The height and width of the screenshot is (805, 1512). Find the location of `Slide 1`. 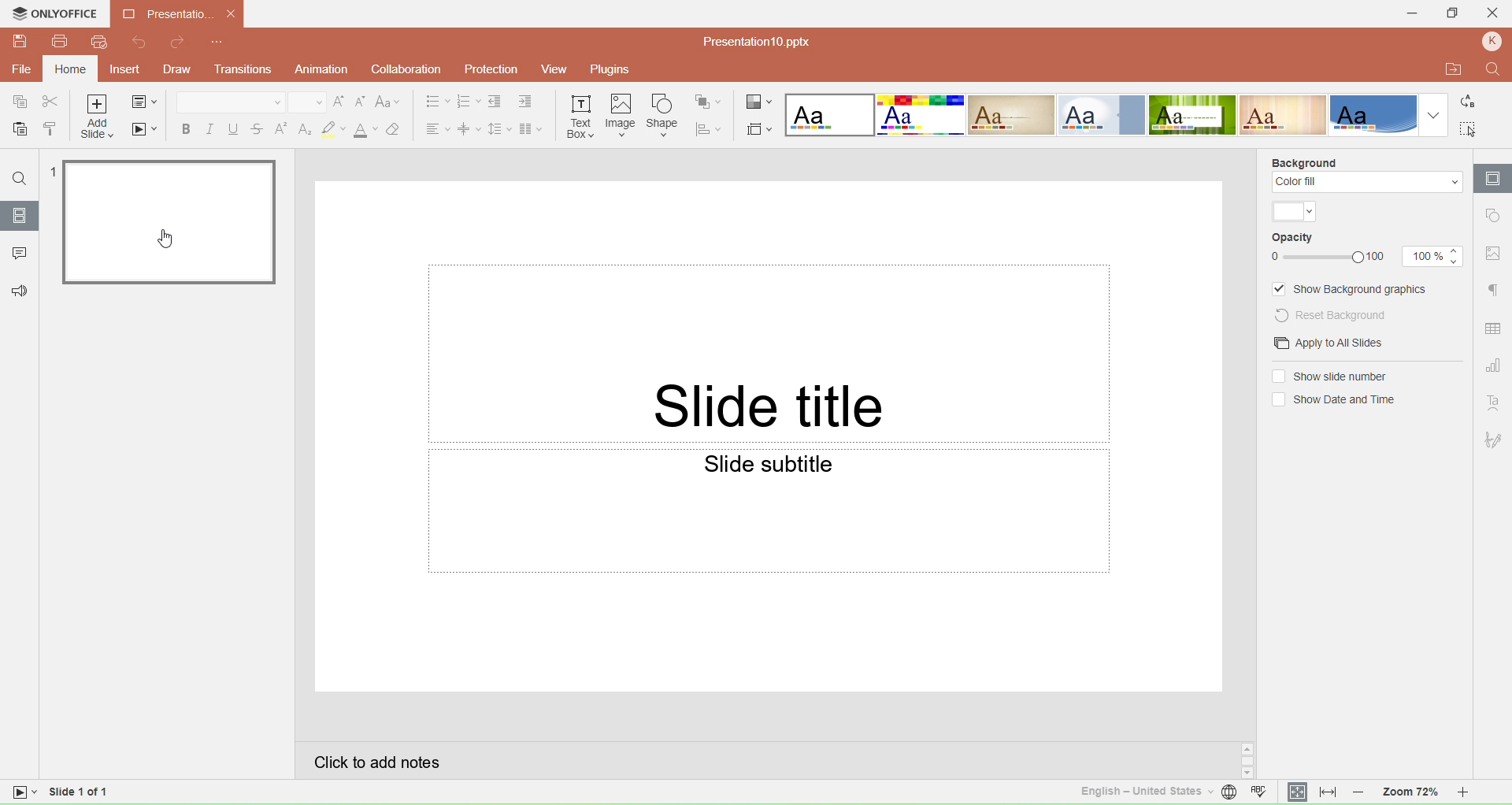

Slide 1 is located at coordinates (169, 223).